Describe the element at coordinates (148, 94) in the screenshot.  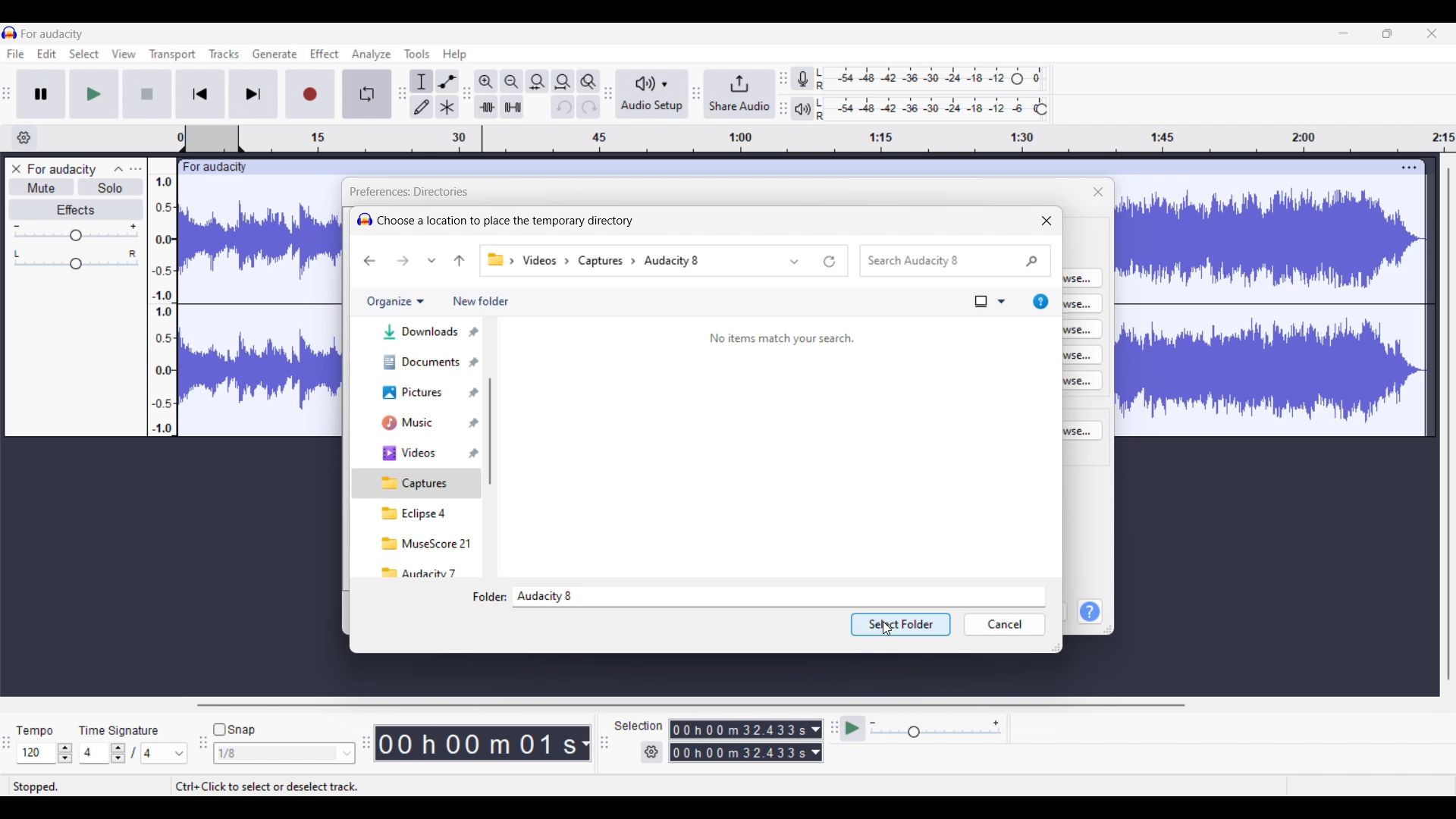
I see `Stop` at that location.